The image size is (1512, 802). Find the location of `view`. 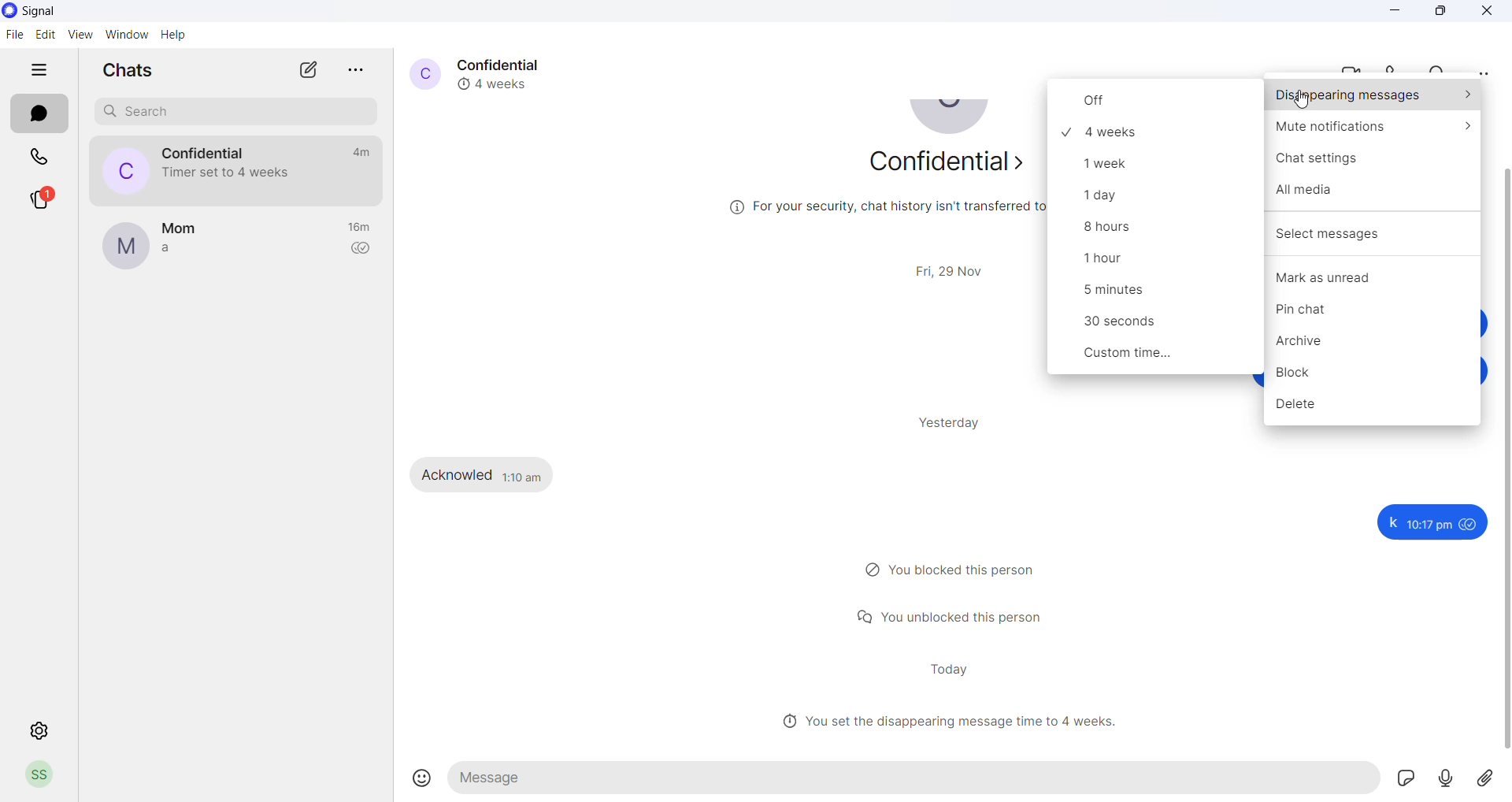

view is located at coordinates (80, 35).